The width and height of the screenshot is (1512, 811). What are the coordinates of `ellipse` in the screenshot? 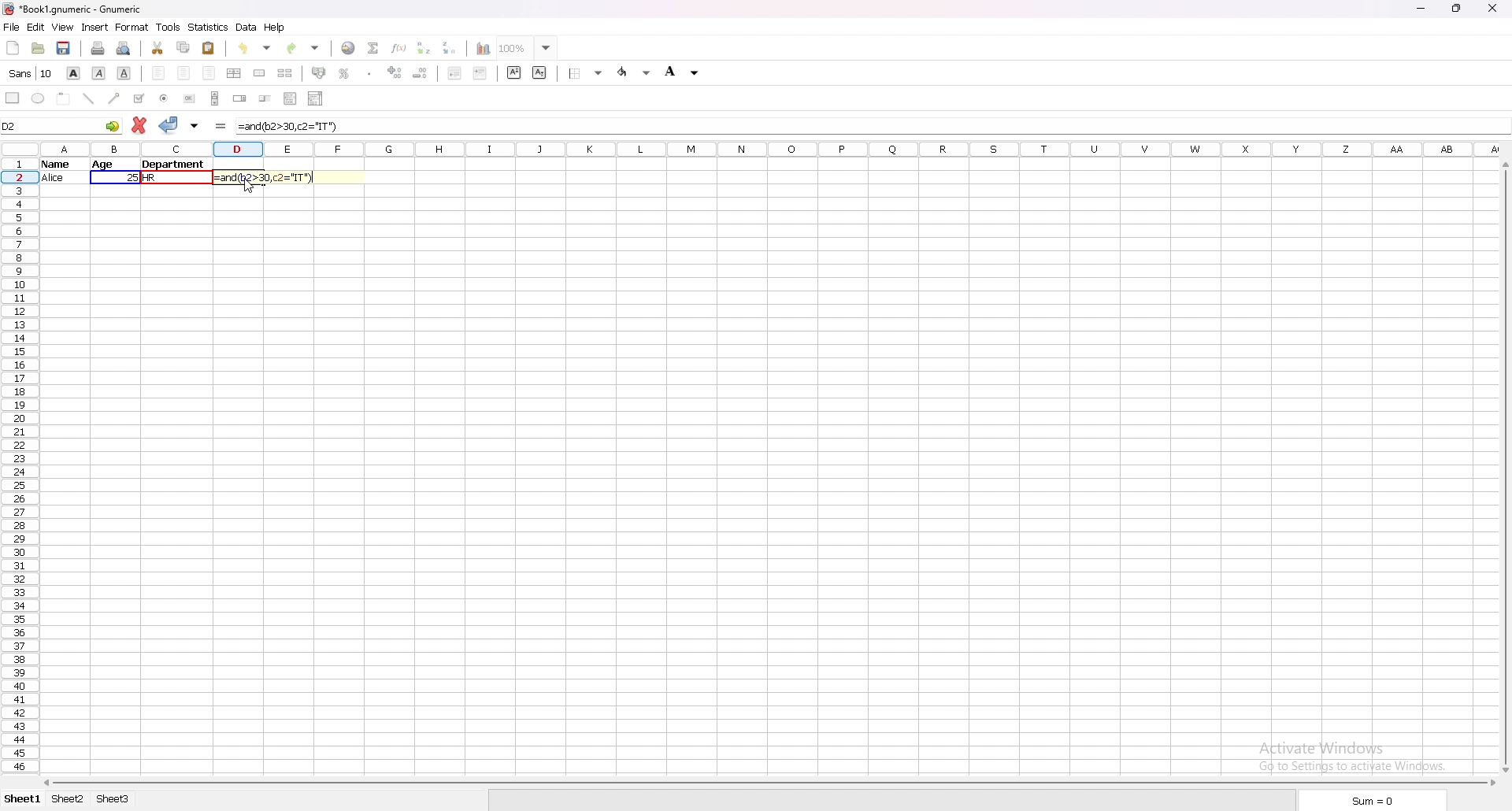 It's located at (39, 98).